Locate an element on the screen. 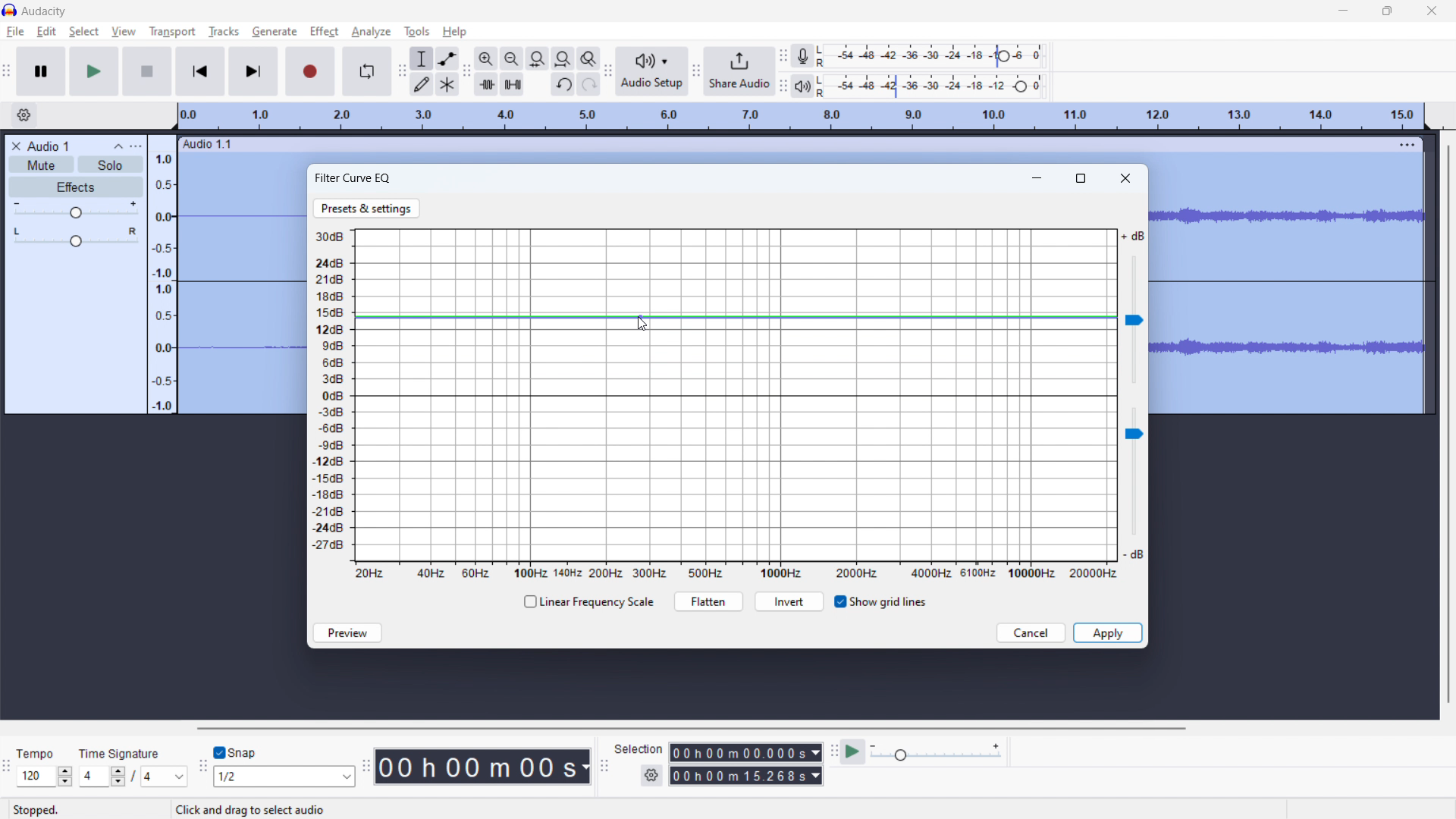 The height and width of the screenshot is (819, 1456). Time Signature is located at coordinates (121, 750).